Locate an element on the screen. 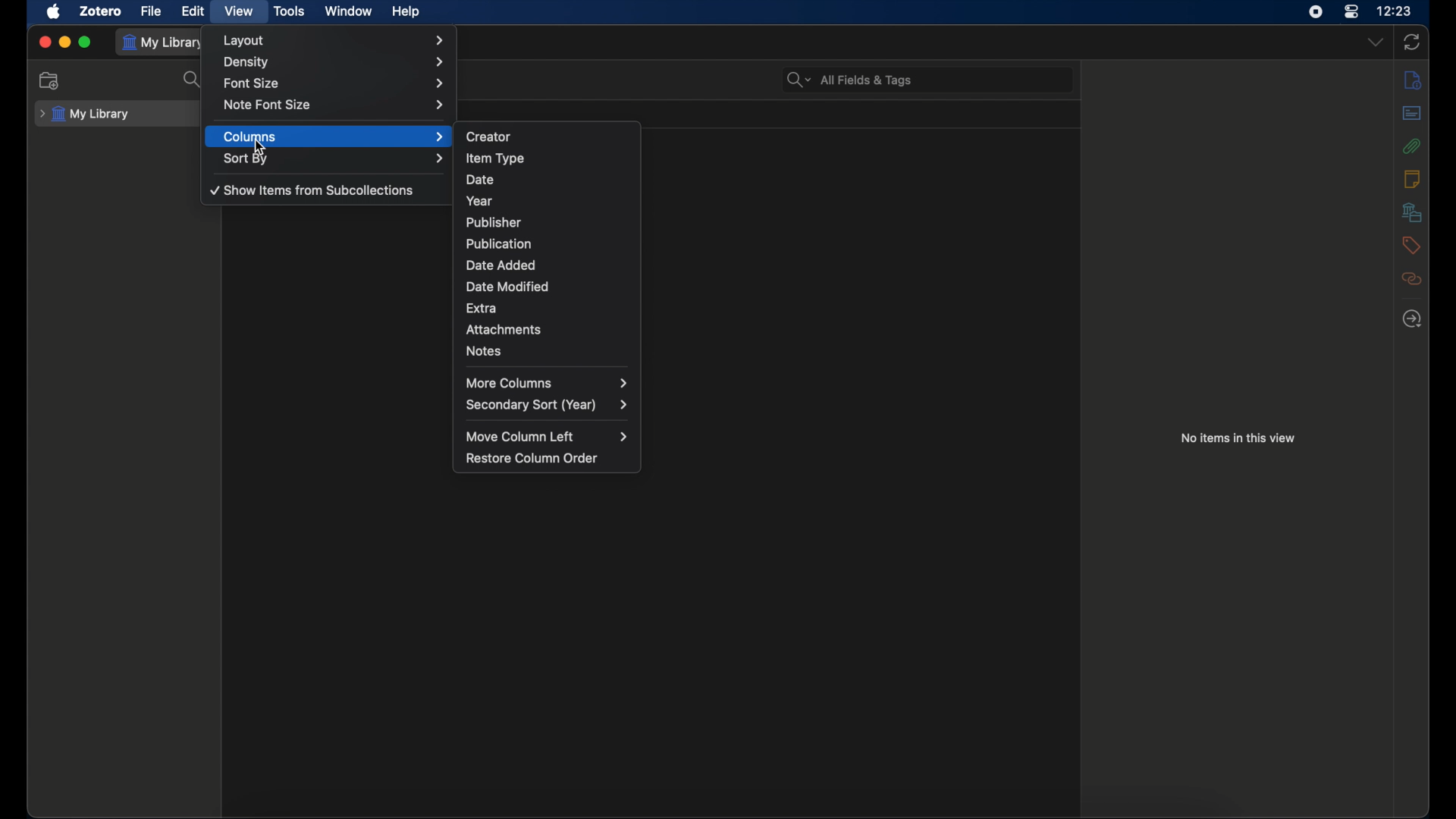  attachments is located at coordinates (1411, 146).